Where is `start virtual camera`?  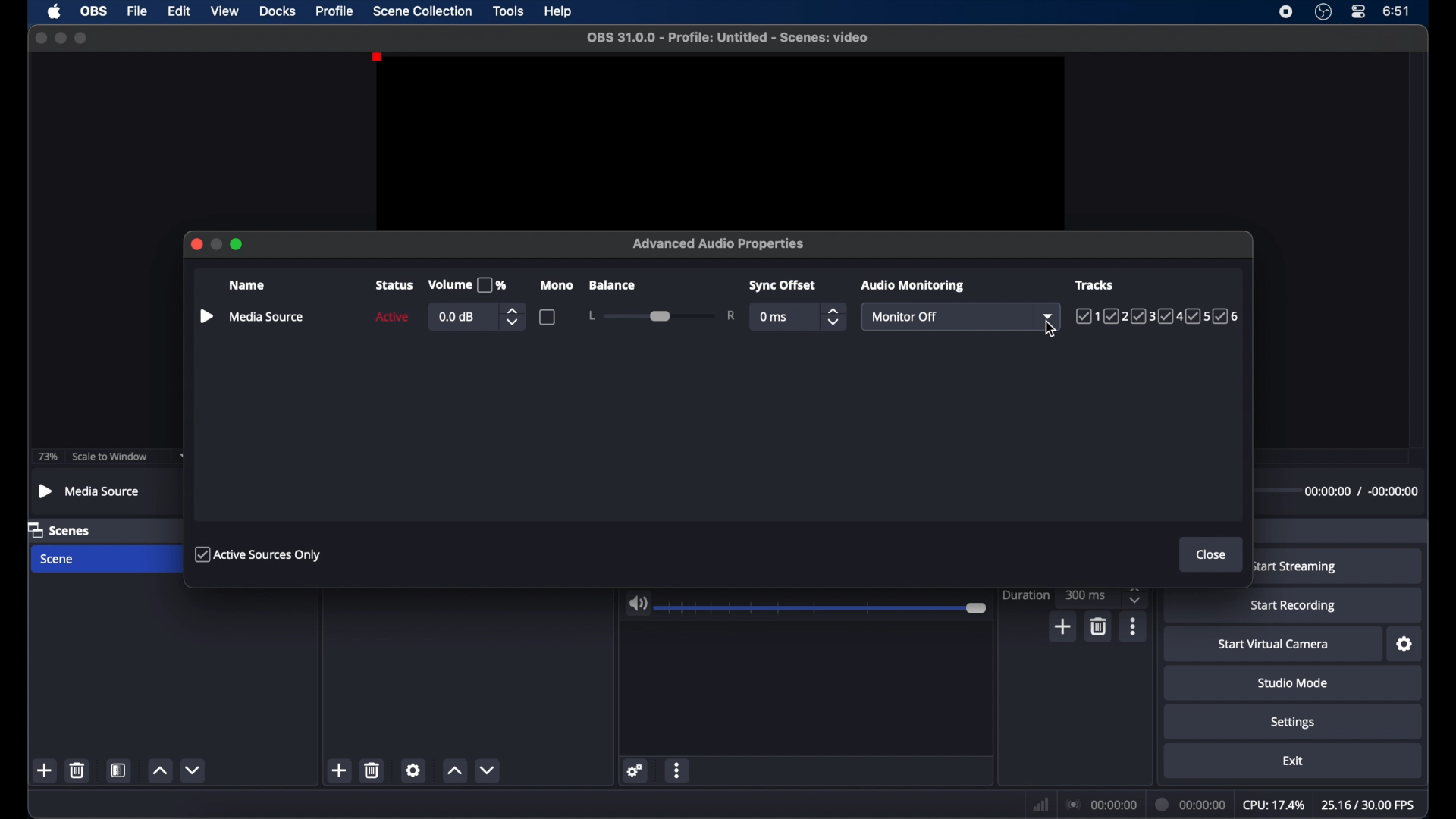
start virtual camera is located at coordinates (1274, 645).